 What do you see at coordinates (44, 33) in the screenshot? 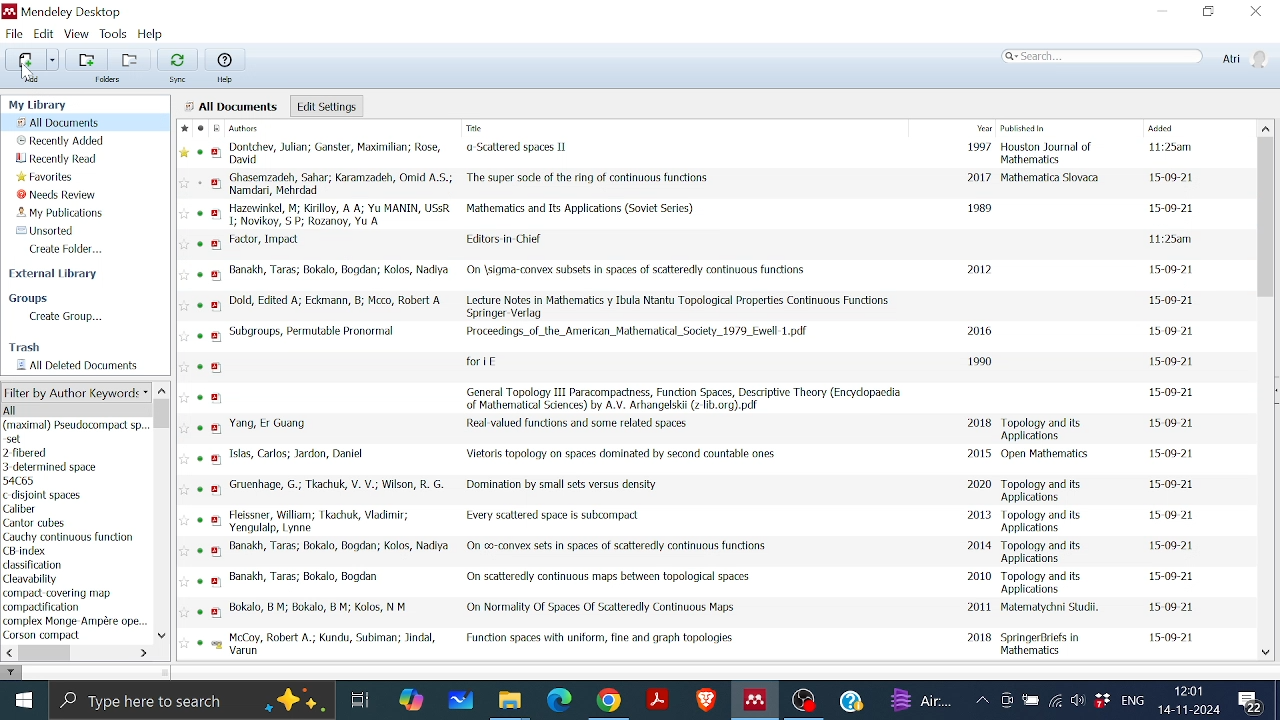
I see `Edit` at bounding box center [44, 33].